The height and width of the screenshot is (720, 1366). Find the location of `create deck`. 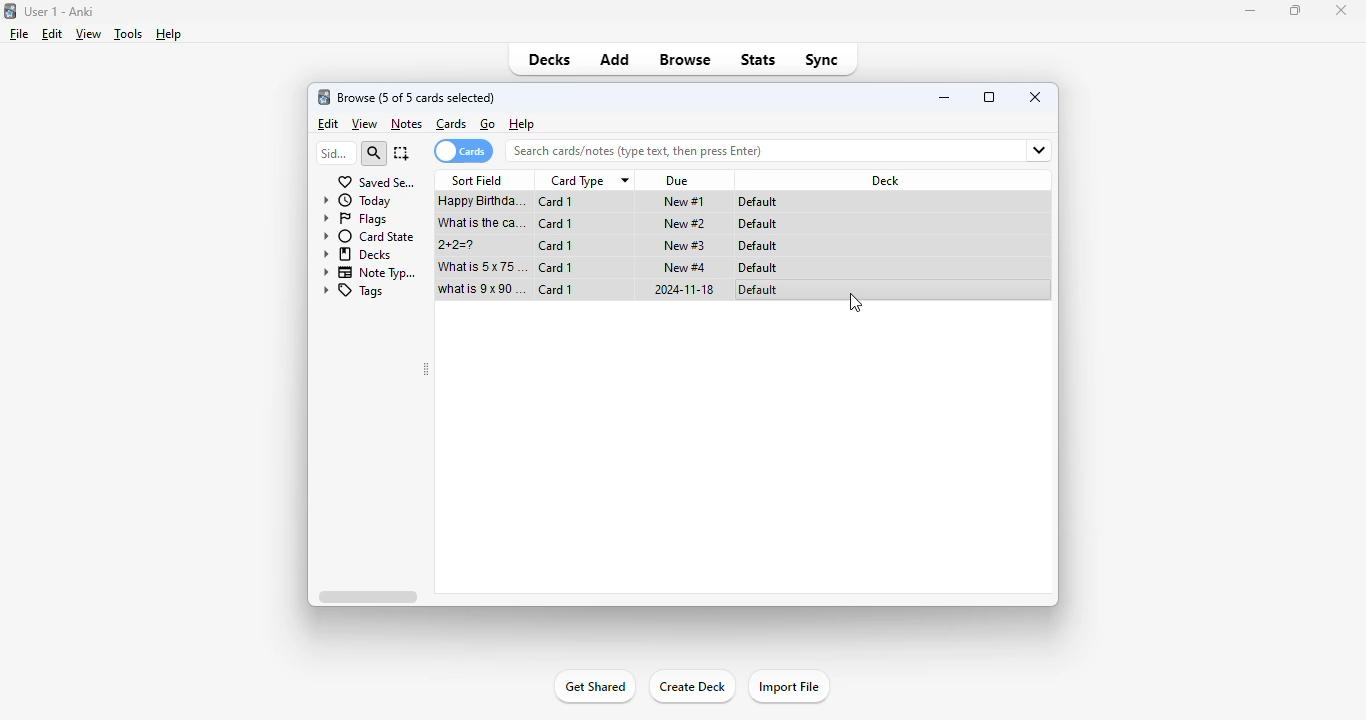

create deck is located at coordinates (691, 686).